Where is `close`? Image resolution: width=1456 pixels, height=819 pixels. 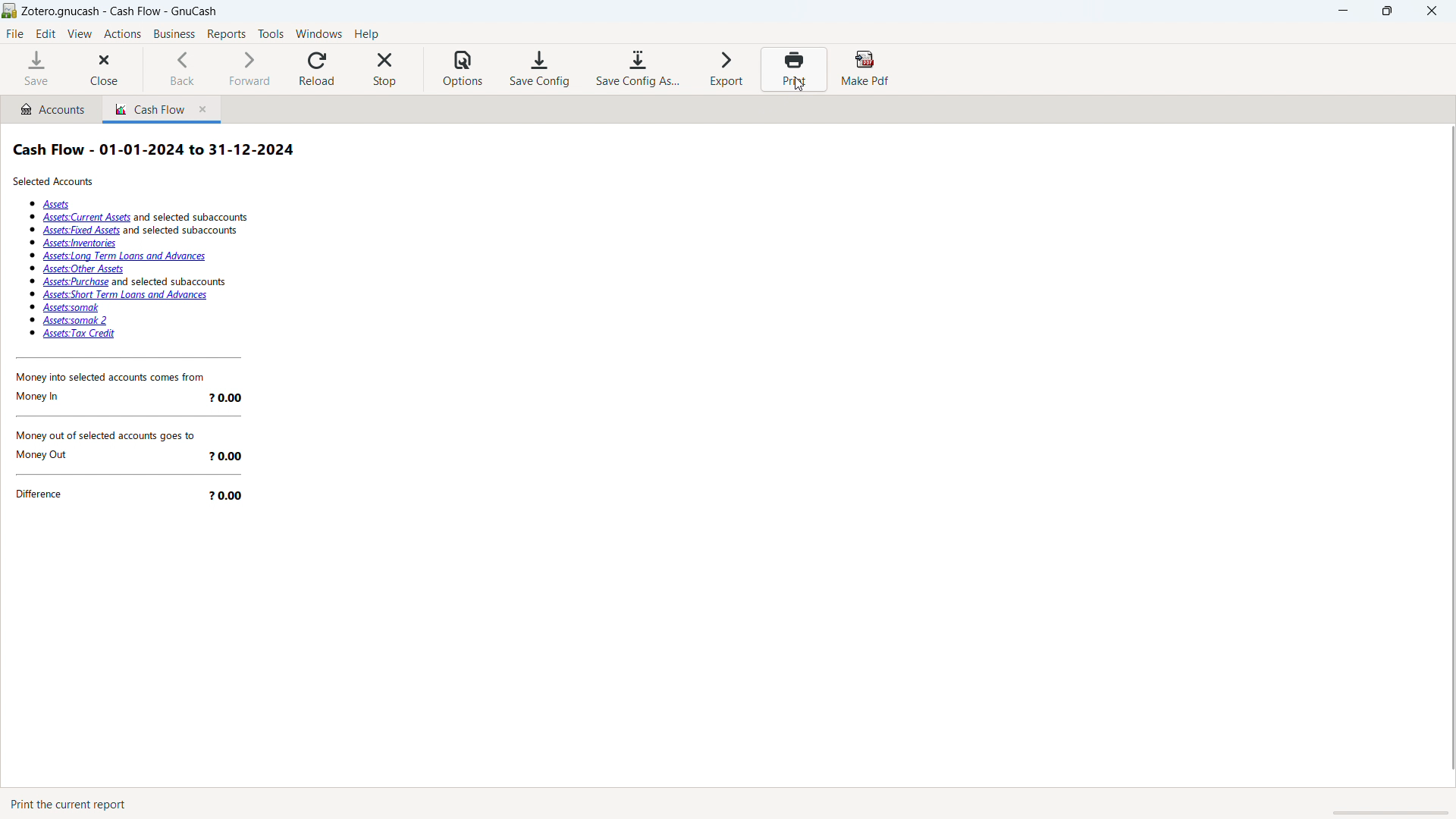 close is located at coordinates (1431, 11).